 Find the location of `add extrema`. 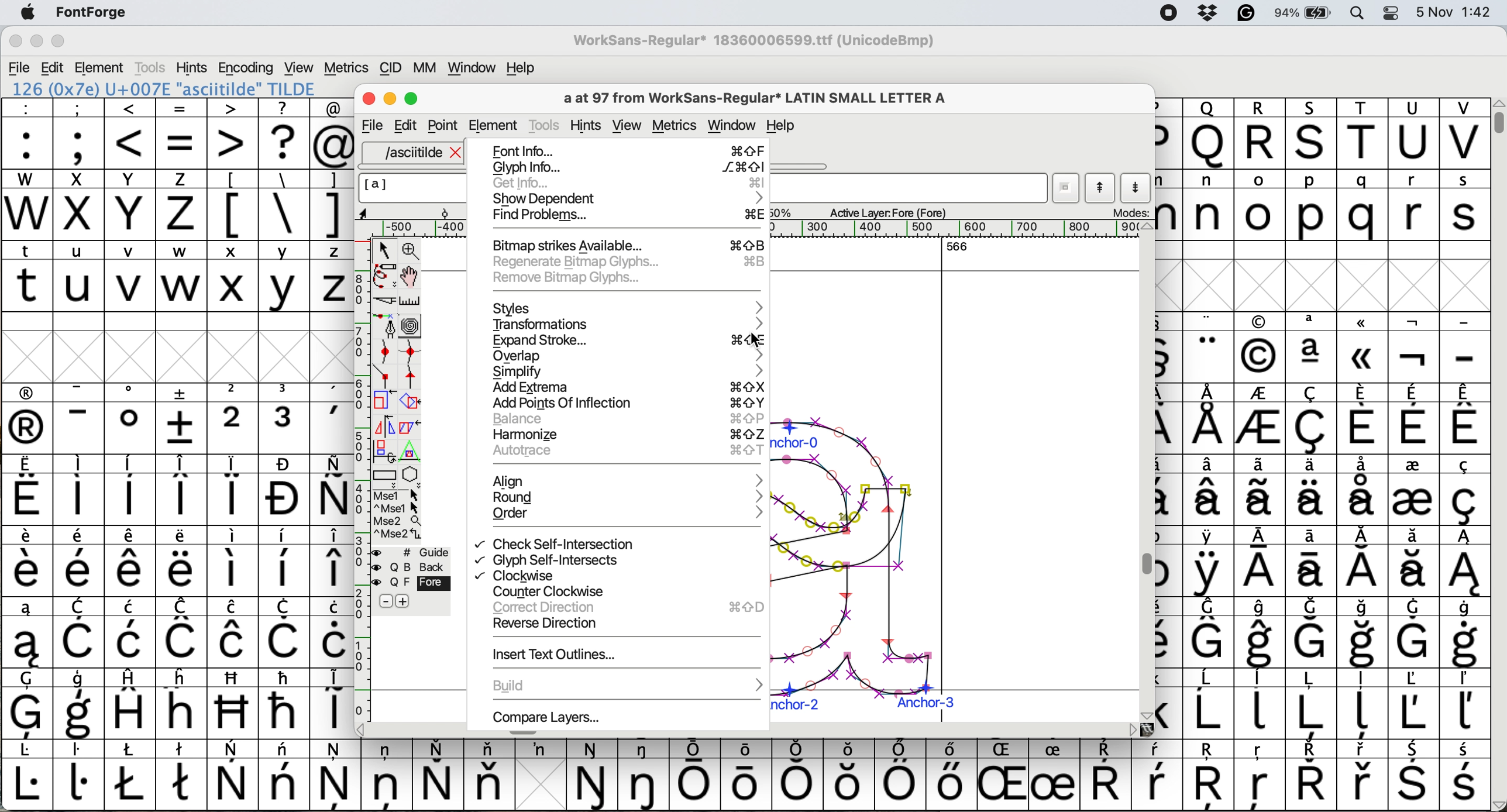

add extrema is located at coordinates (625, 387).